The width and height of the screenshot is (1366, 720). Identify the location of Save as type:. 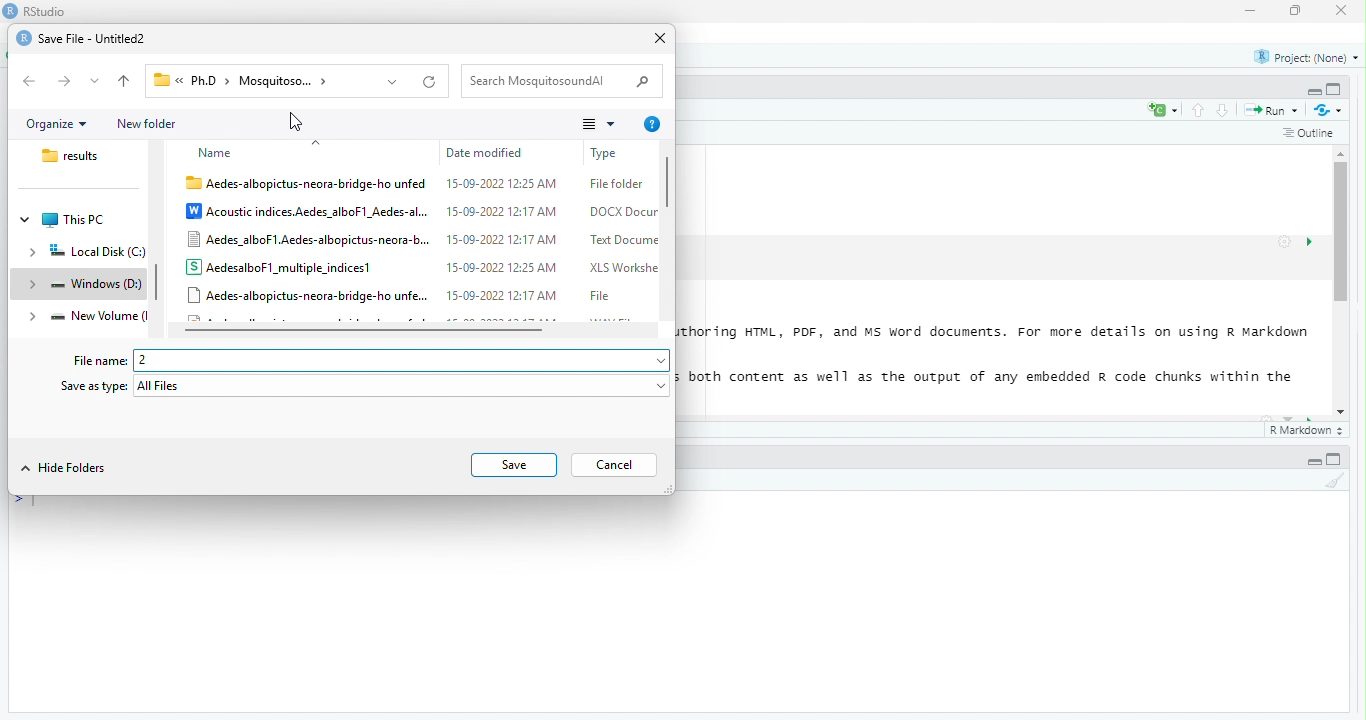
(94, 386).